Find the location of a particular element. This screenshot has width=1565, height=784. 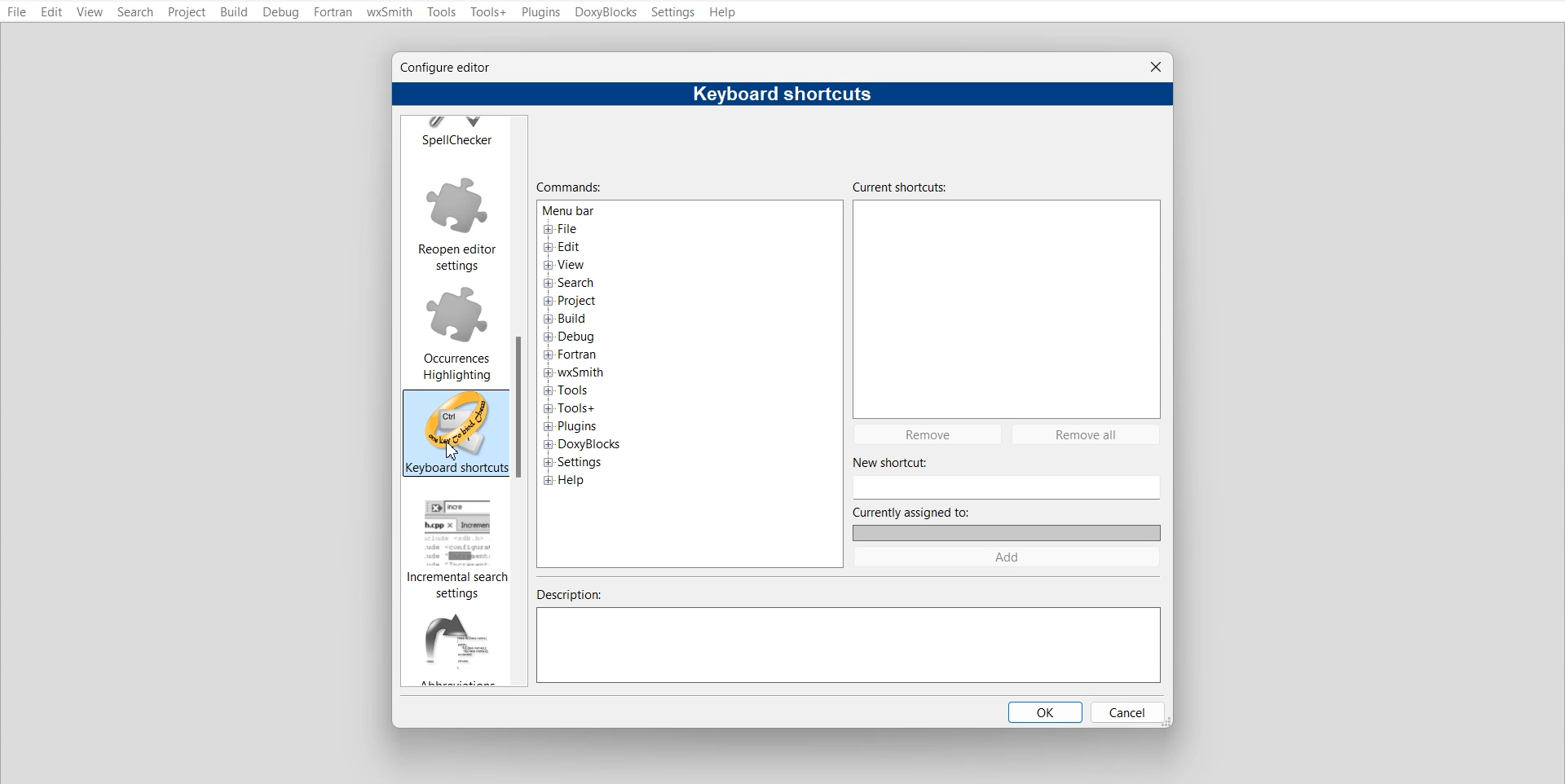

Spell Checker is located at coordinates (455, 132).